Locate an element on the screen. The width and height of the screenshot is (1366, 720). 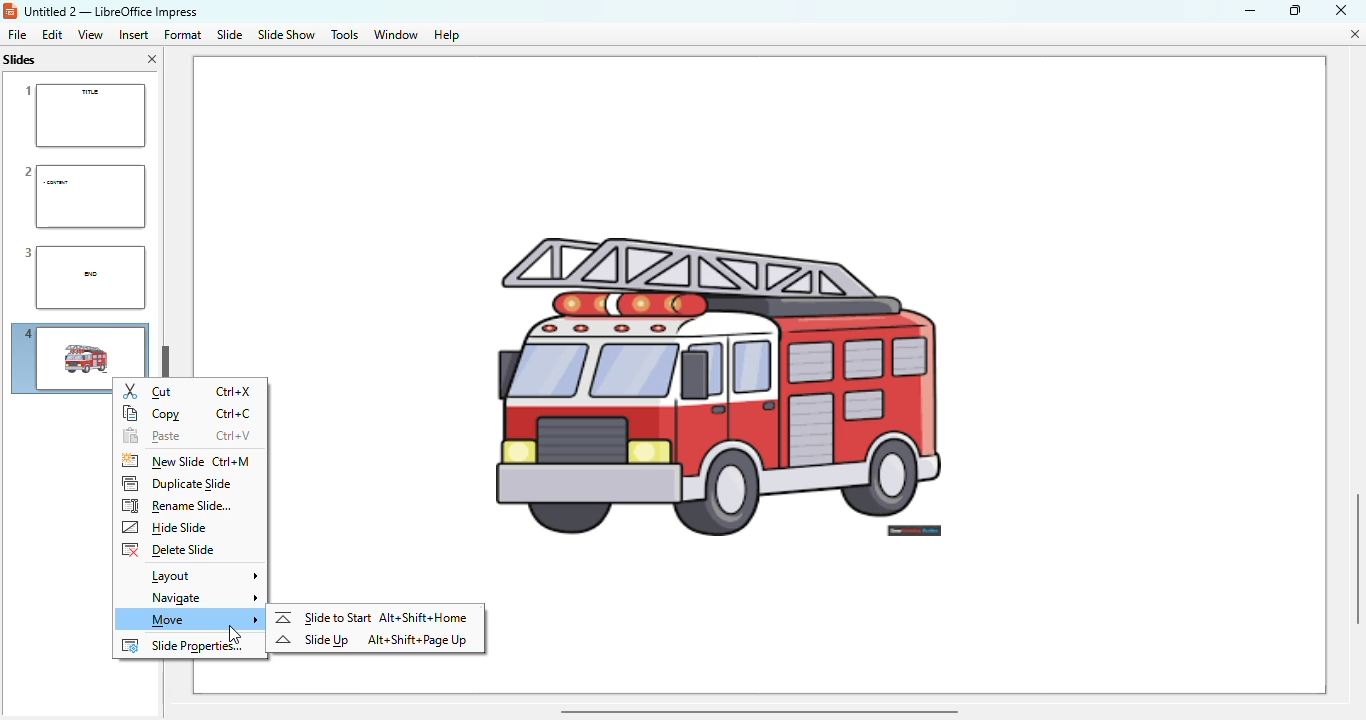
copy is located at coordinates (153, 414).